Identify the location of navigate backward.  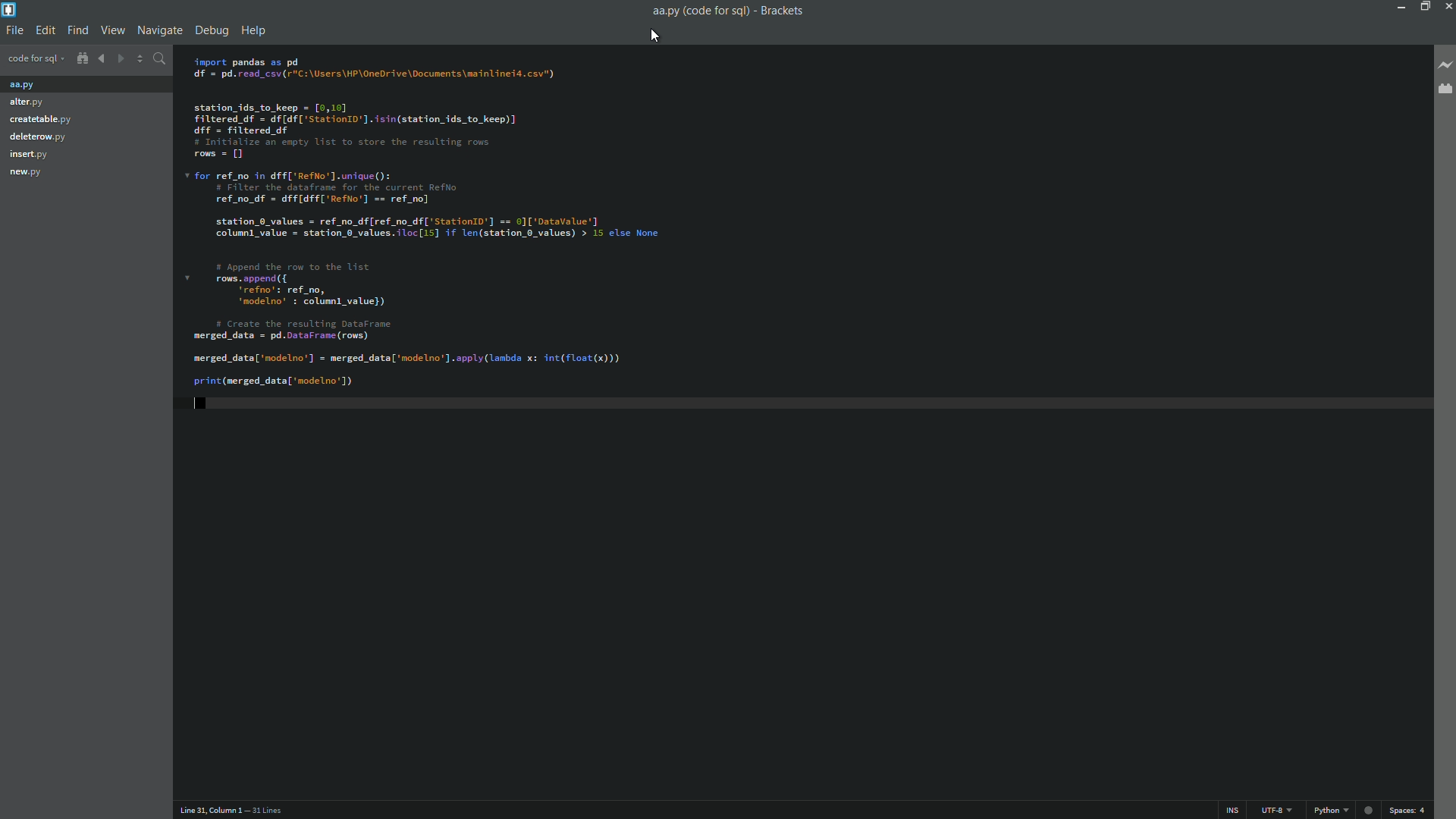
(104, 59).